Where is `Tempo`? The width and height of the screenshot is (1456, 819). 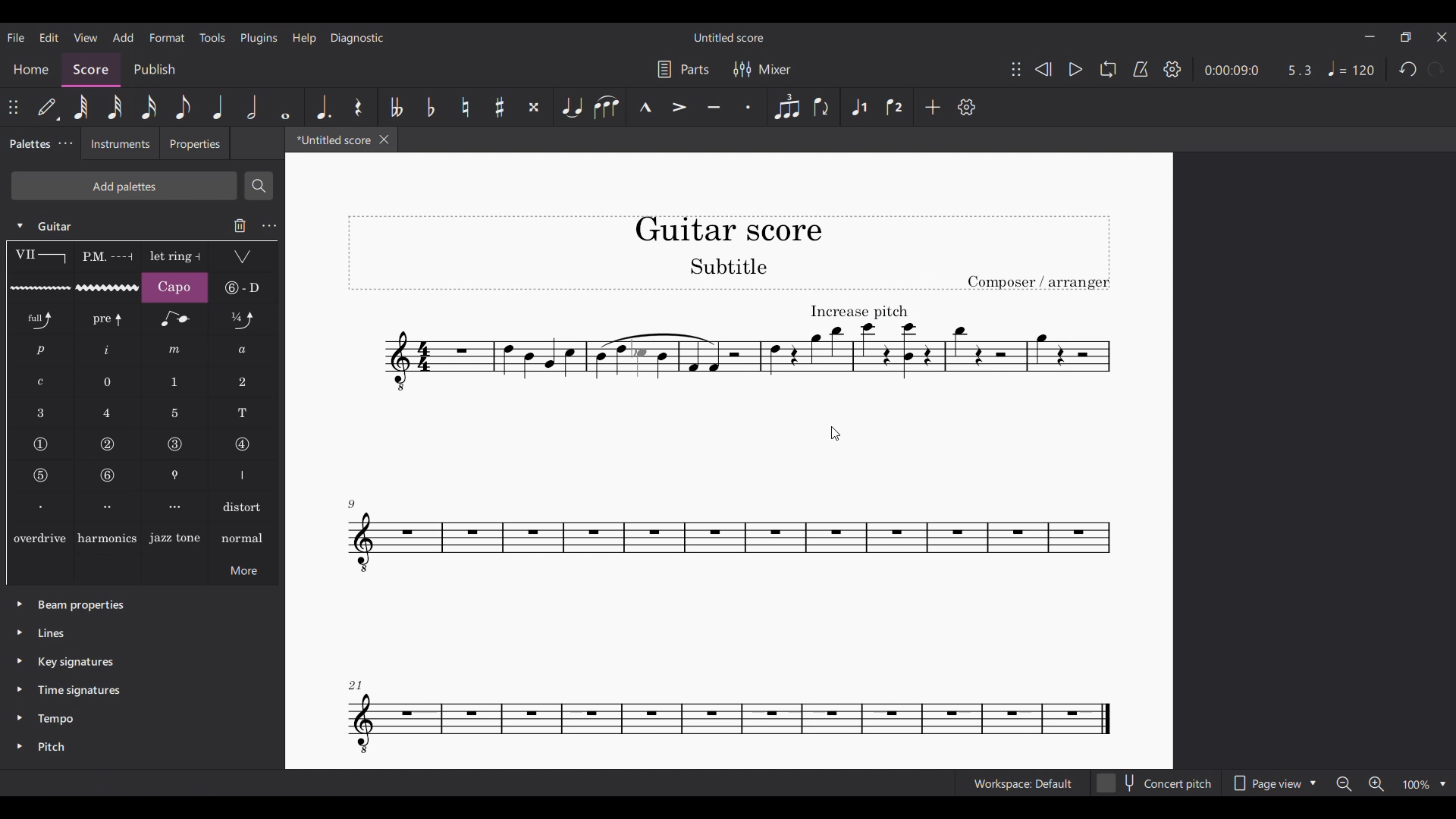
Tempo is located at coordinates (56, 719).